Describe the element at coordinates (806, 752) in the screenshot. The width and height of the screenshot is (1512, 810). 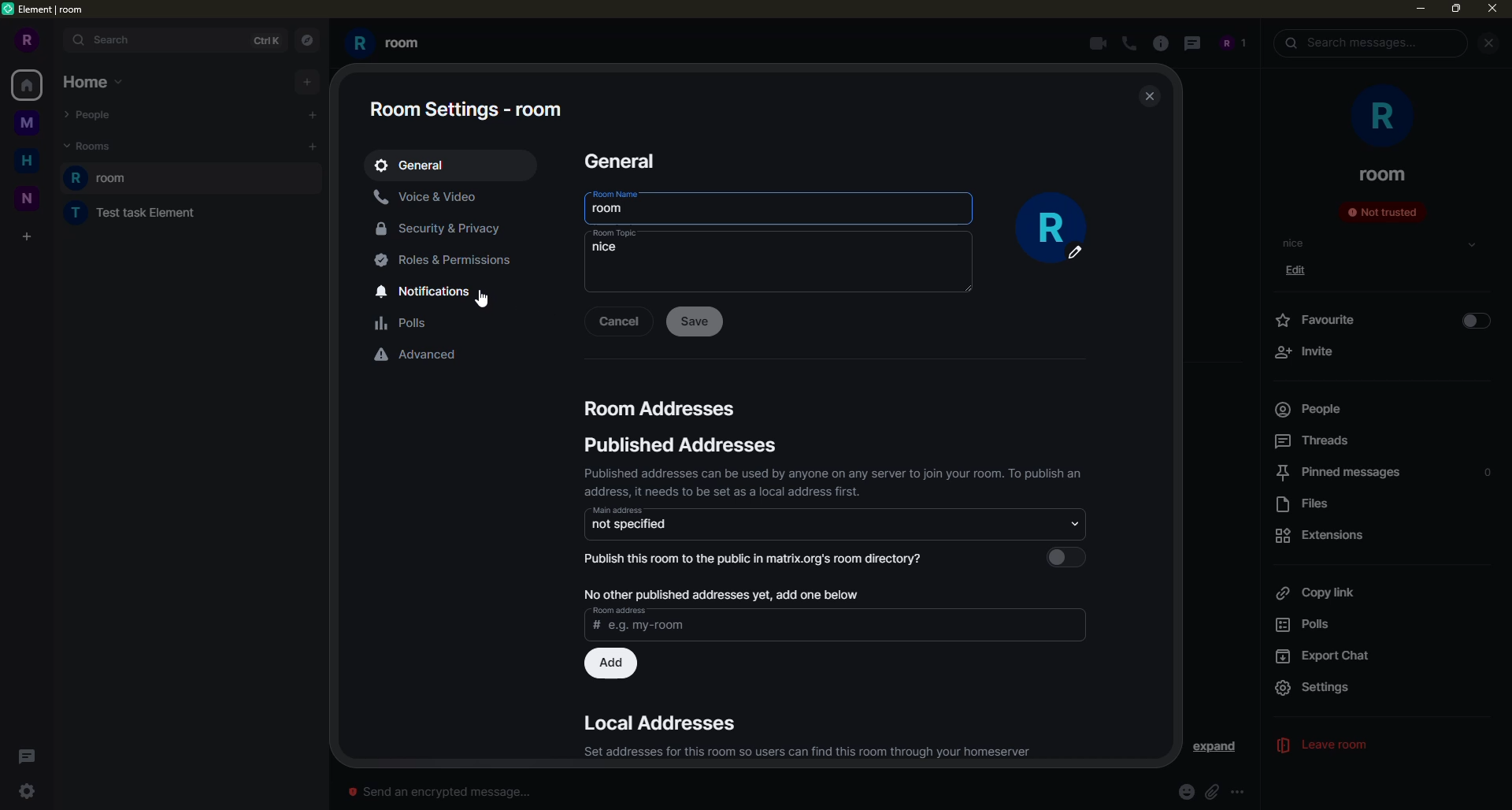
I see `info` at that location.